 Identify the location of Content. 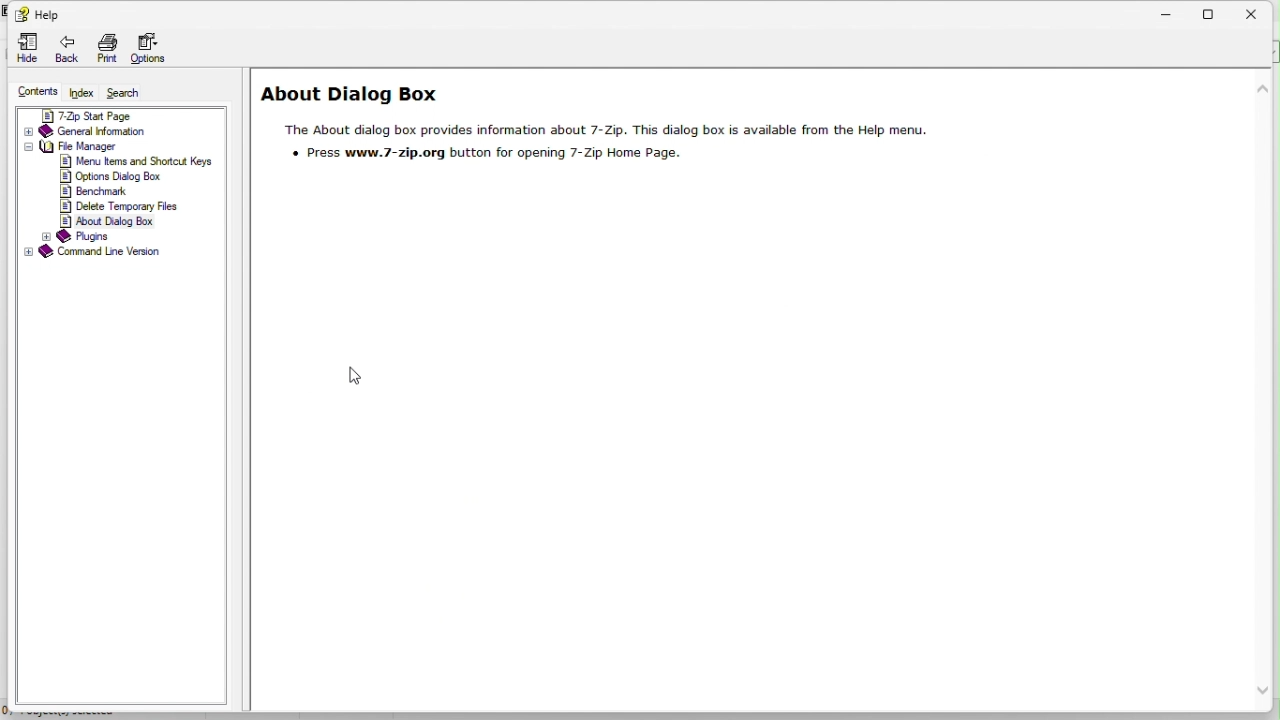
(29, 91).